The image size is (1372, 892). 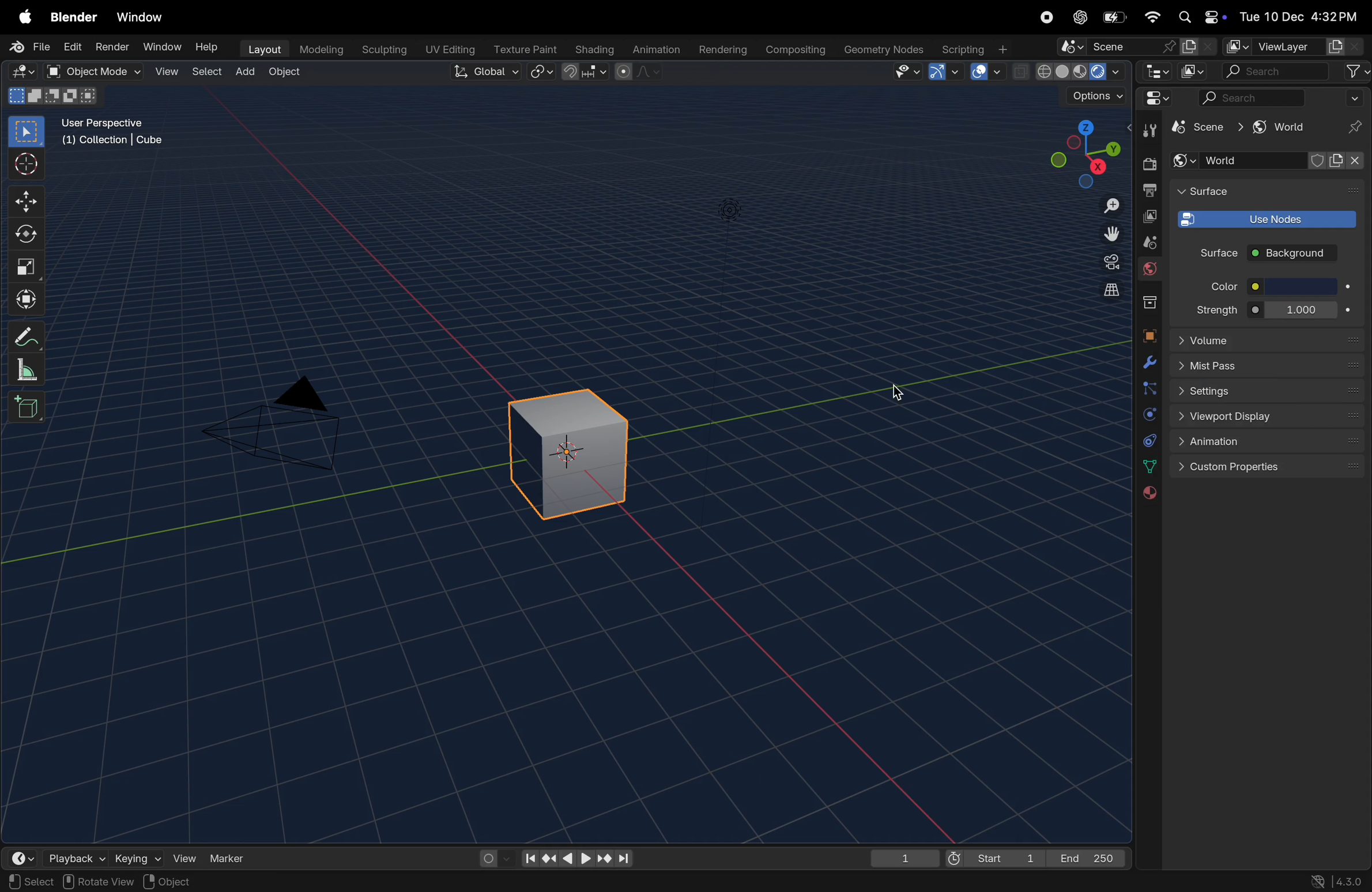 I want to click on editor type, so click(x=25, y=72).